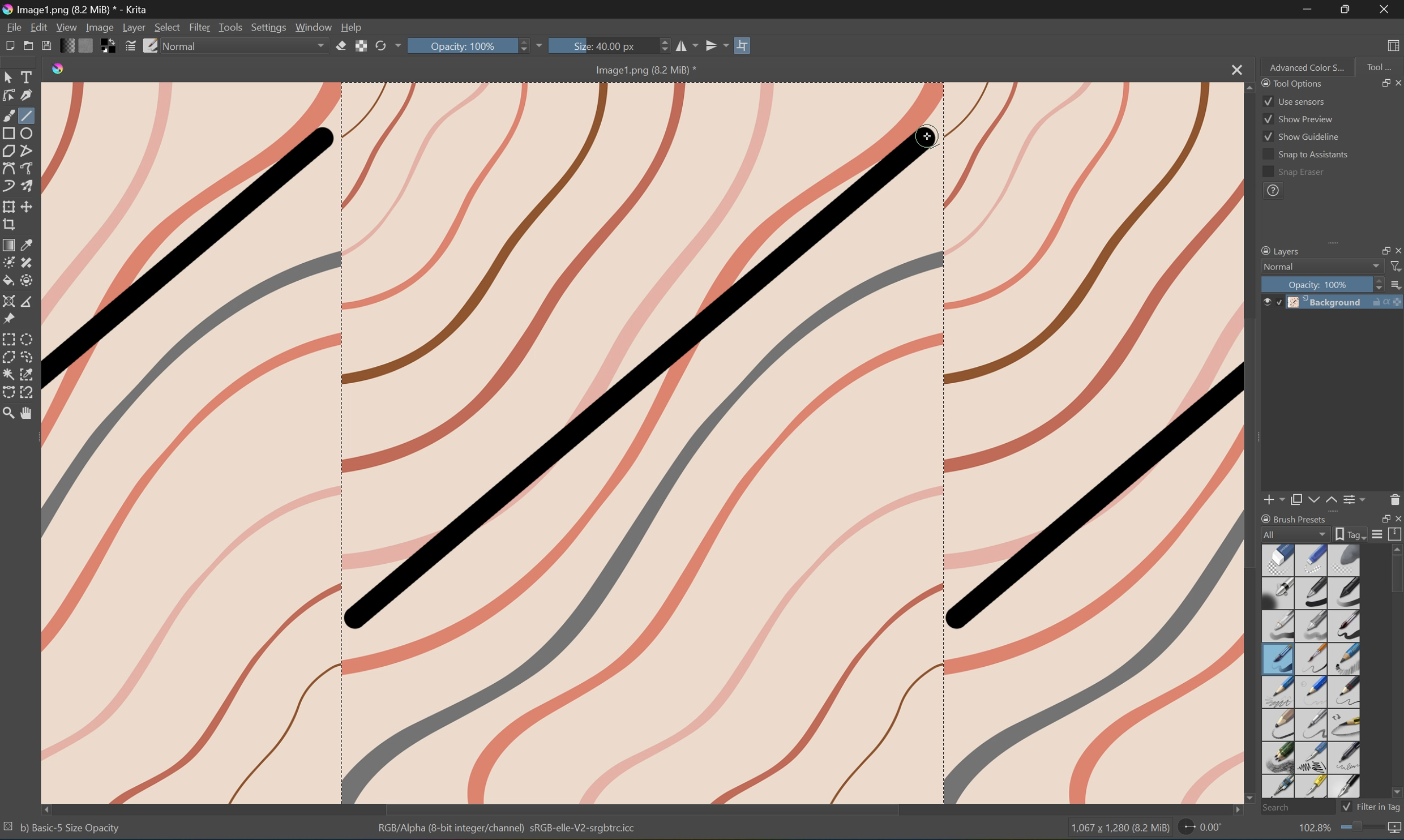  What do you see at coordinates (1251, 796) in the screenshot?
I see `Scroll Bottom` at bounding box center [1251, 796].